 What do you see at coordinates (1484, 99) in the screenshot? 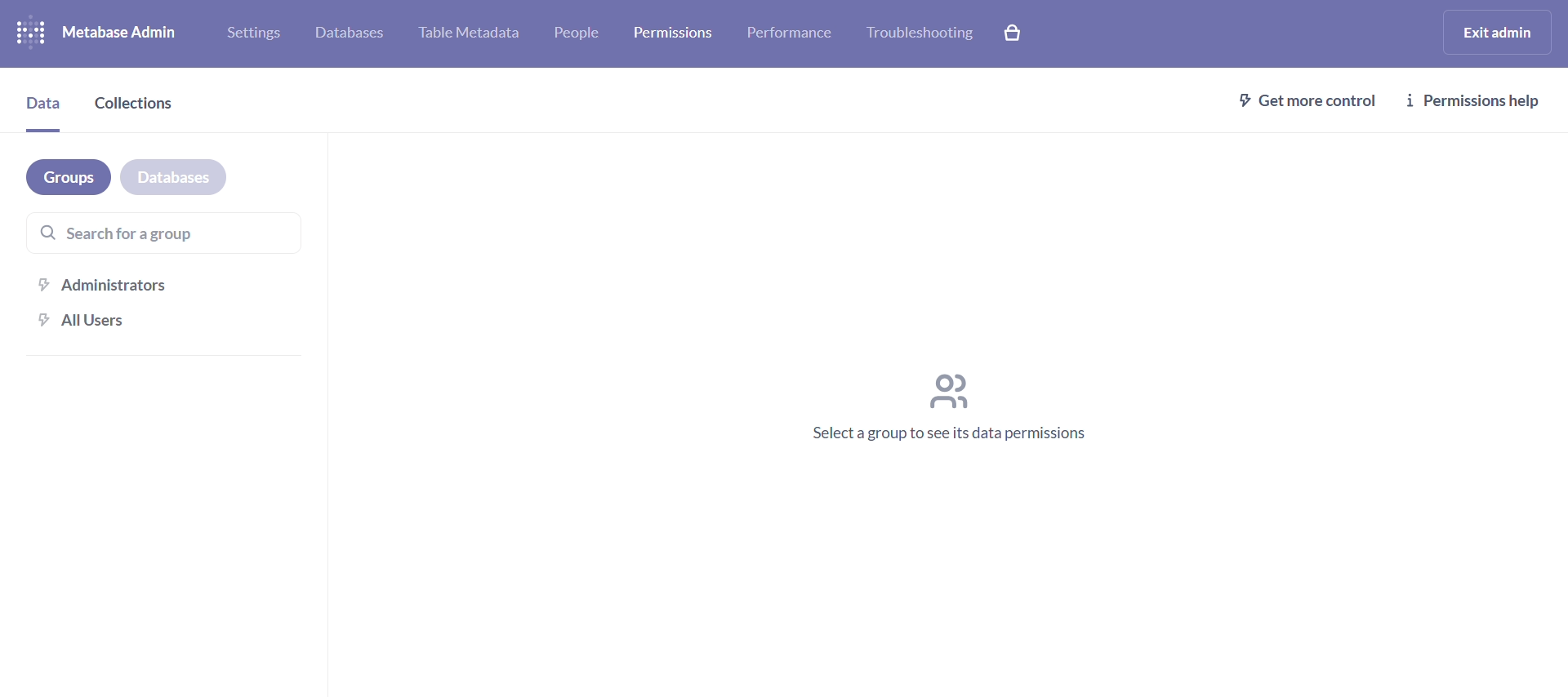
I see `permissions help` at bounding box center [1484, 99].